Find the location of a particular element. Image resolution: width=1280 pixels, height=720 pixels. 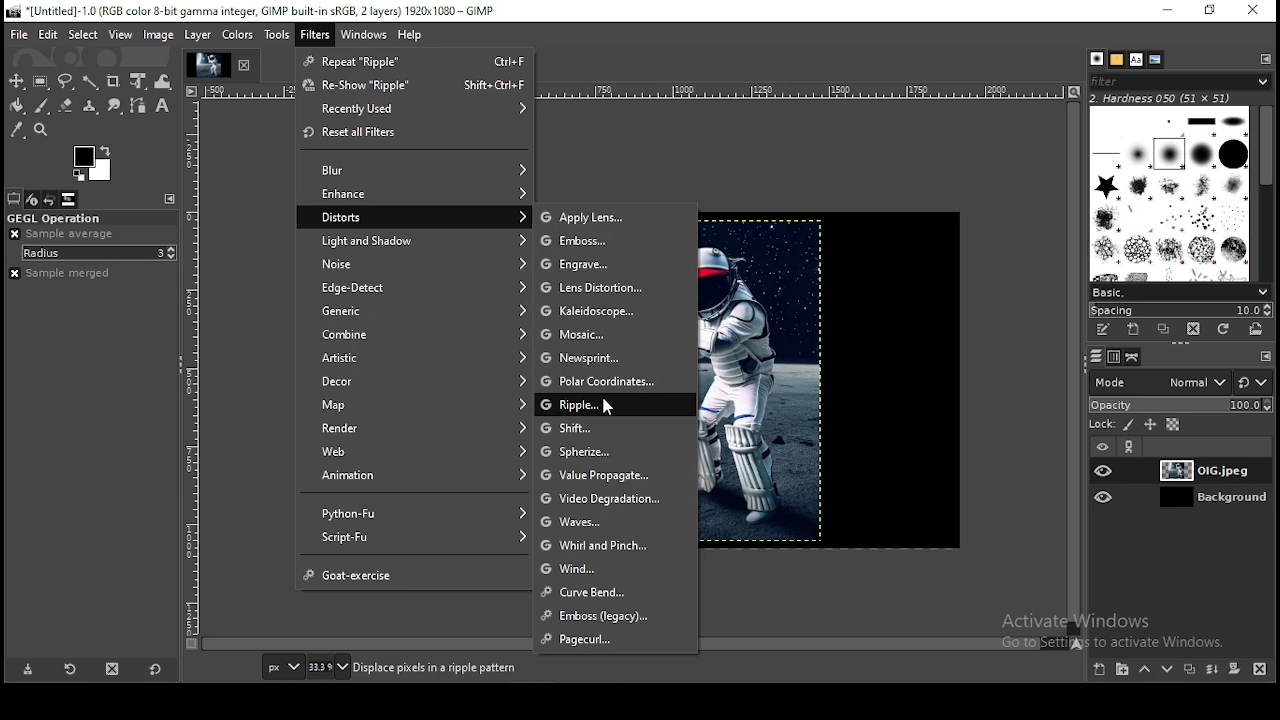

ripple is located at coordinates (589, 404).